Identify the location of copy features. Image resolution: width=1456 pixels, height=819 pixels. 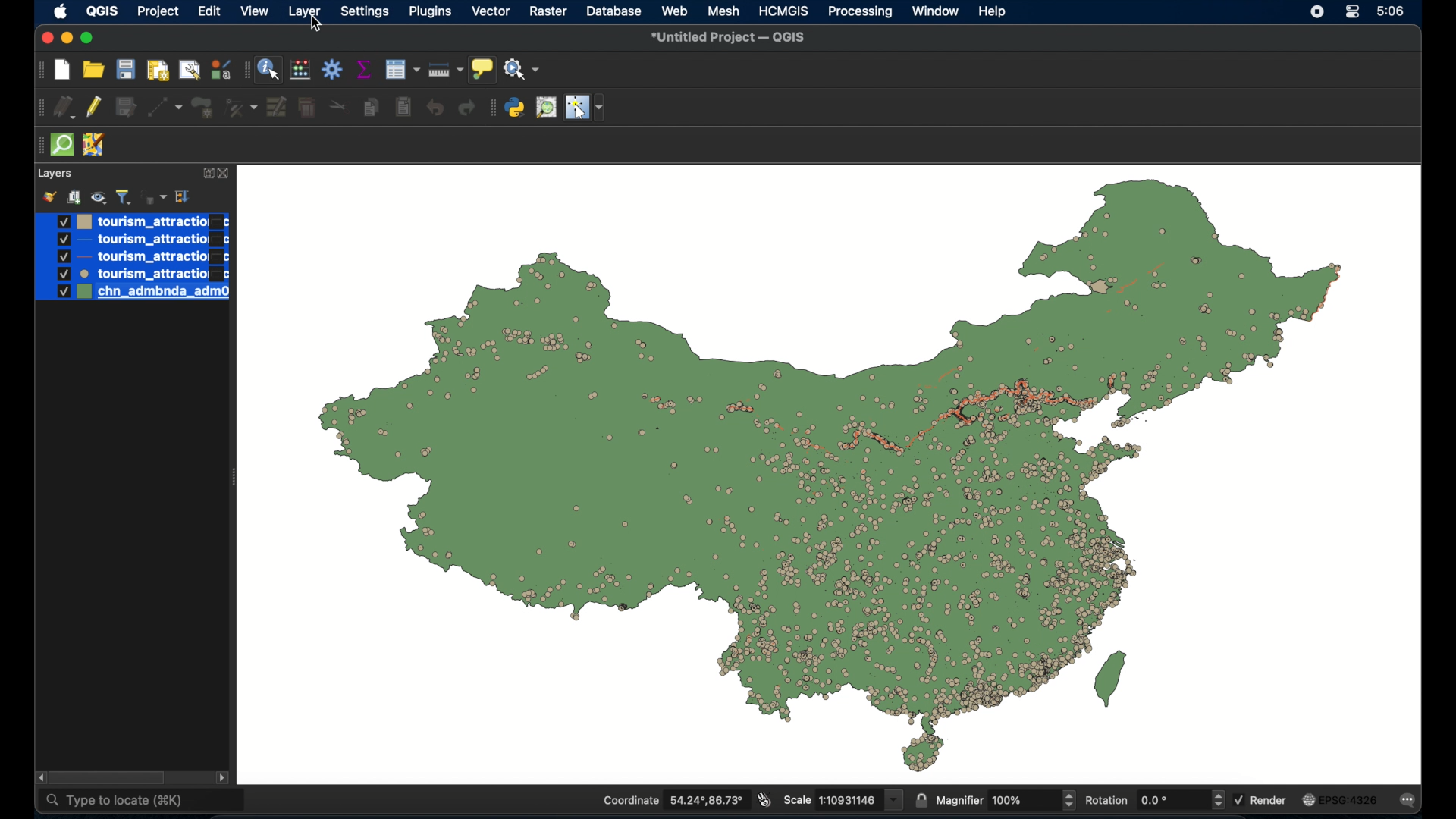
(370, 108).